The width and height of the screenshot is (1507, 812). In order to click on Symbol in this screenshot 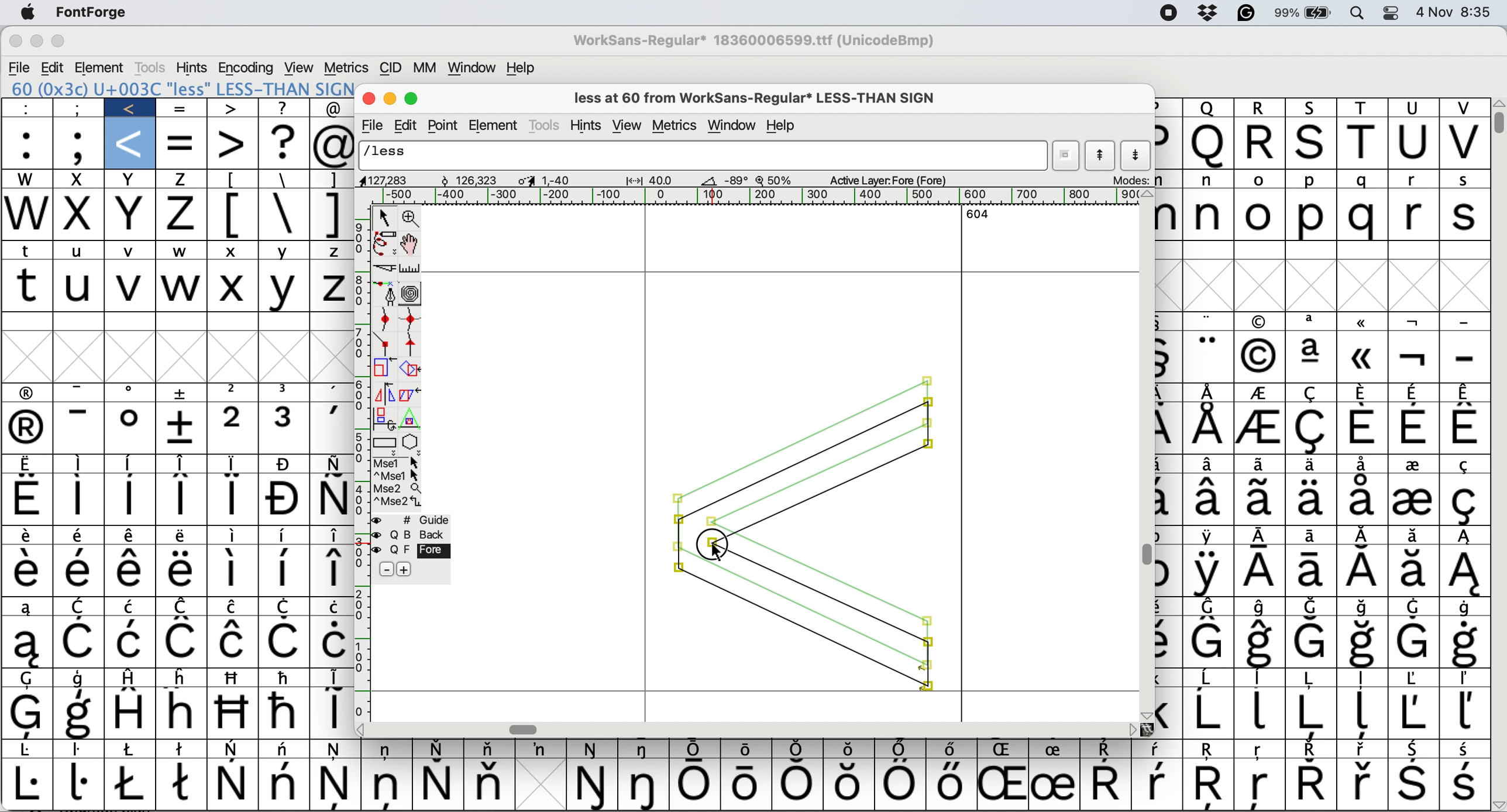, I will do `click(1466, 608)`.